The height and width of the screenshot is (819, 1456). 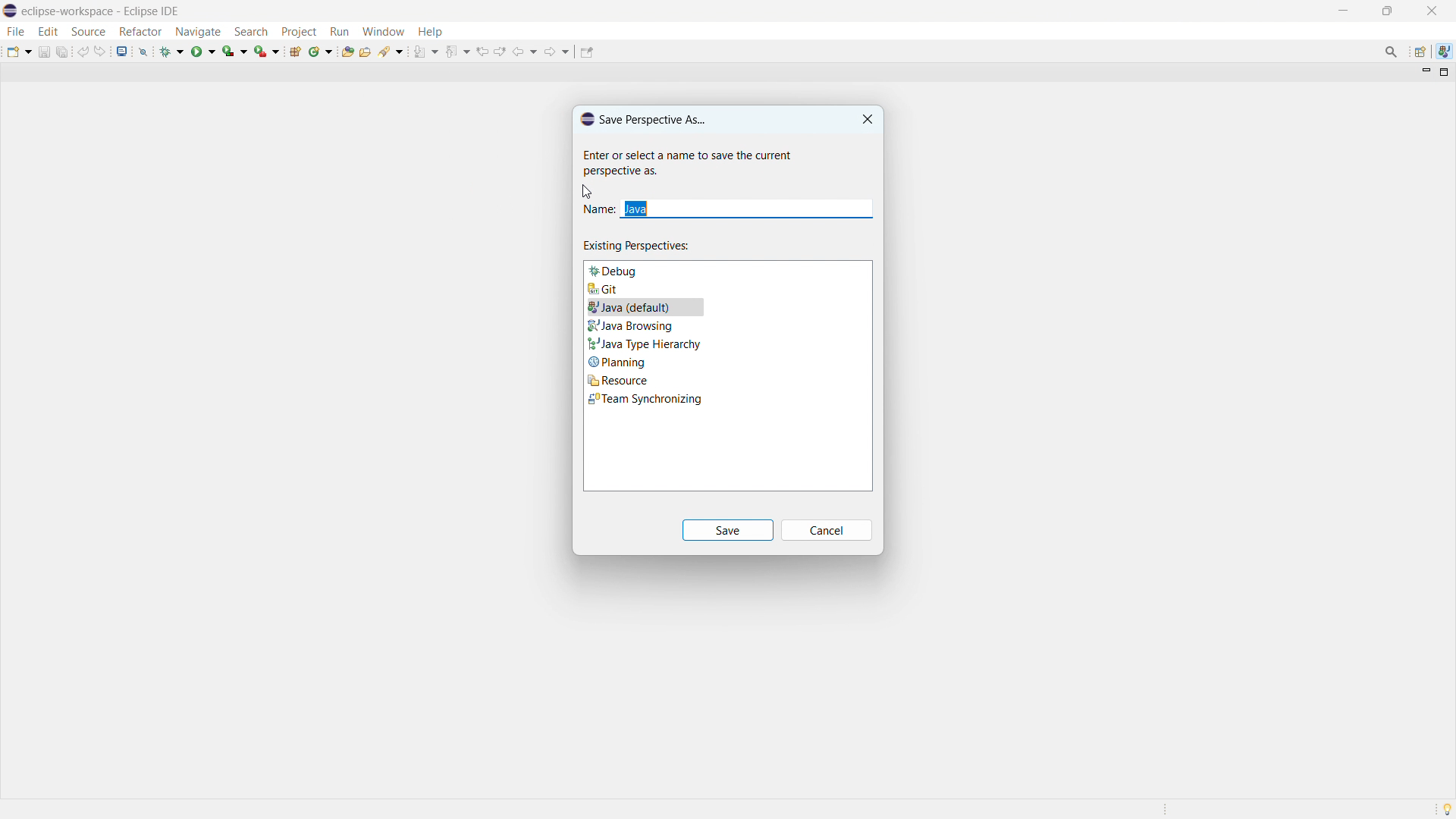 I want to click on git, so click(x=726, y=287).